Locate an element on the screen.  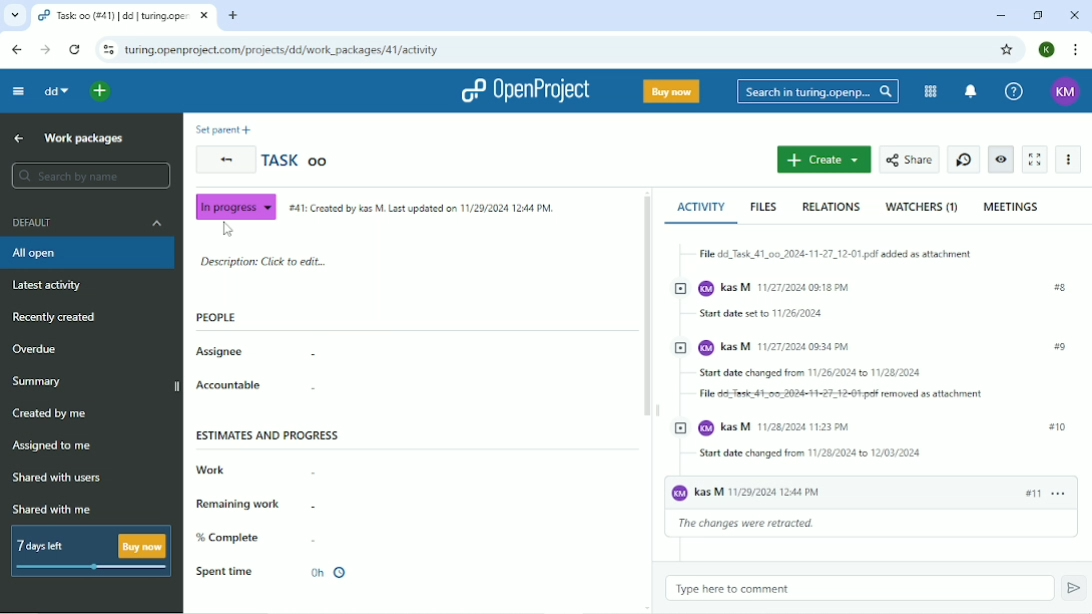
Default is located at coordinates (89, 222).